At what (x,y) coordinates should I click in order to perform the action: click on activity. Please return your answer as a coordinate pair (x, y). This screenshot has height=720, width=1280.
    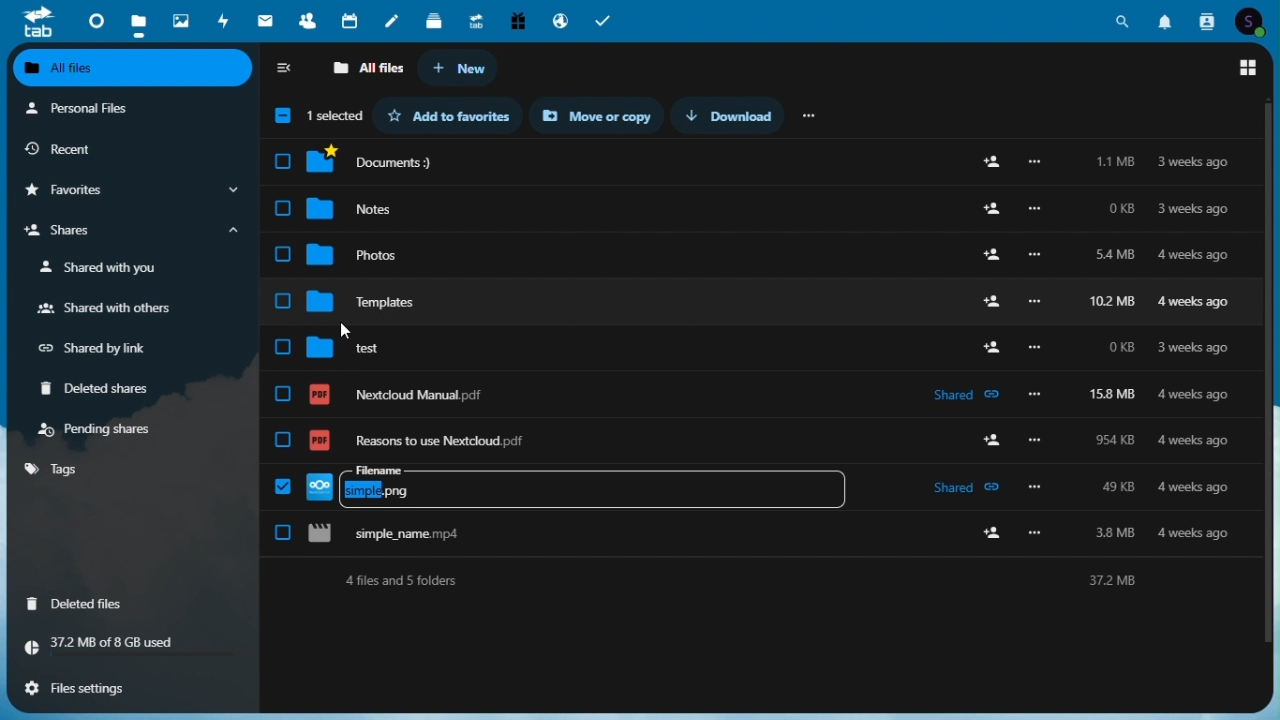
    Looking at the image, I should click on (227, 20).